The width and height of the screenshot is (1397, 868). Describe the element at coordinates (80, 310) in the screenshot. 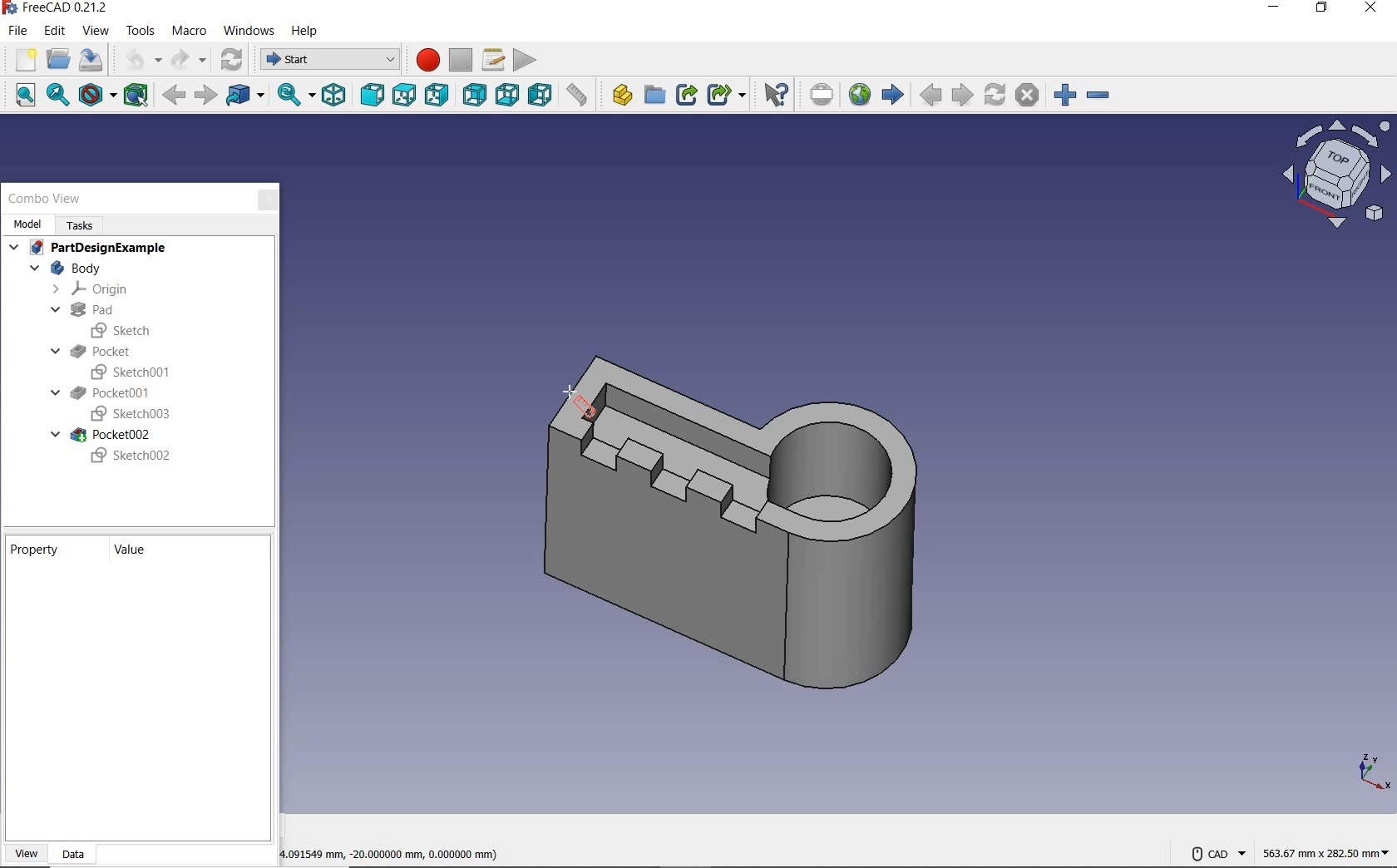

I see `PAD` at that location.